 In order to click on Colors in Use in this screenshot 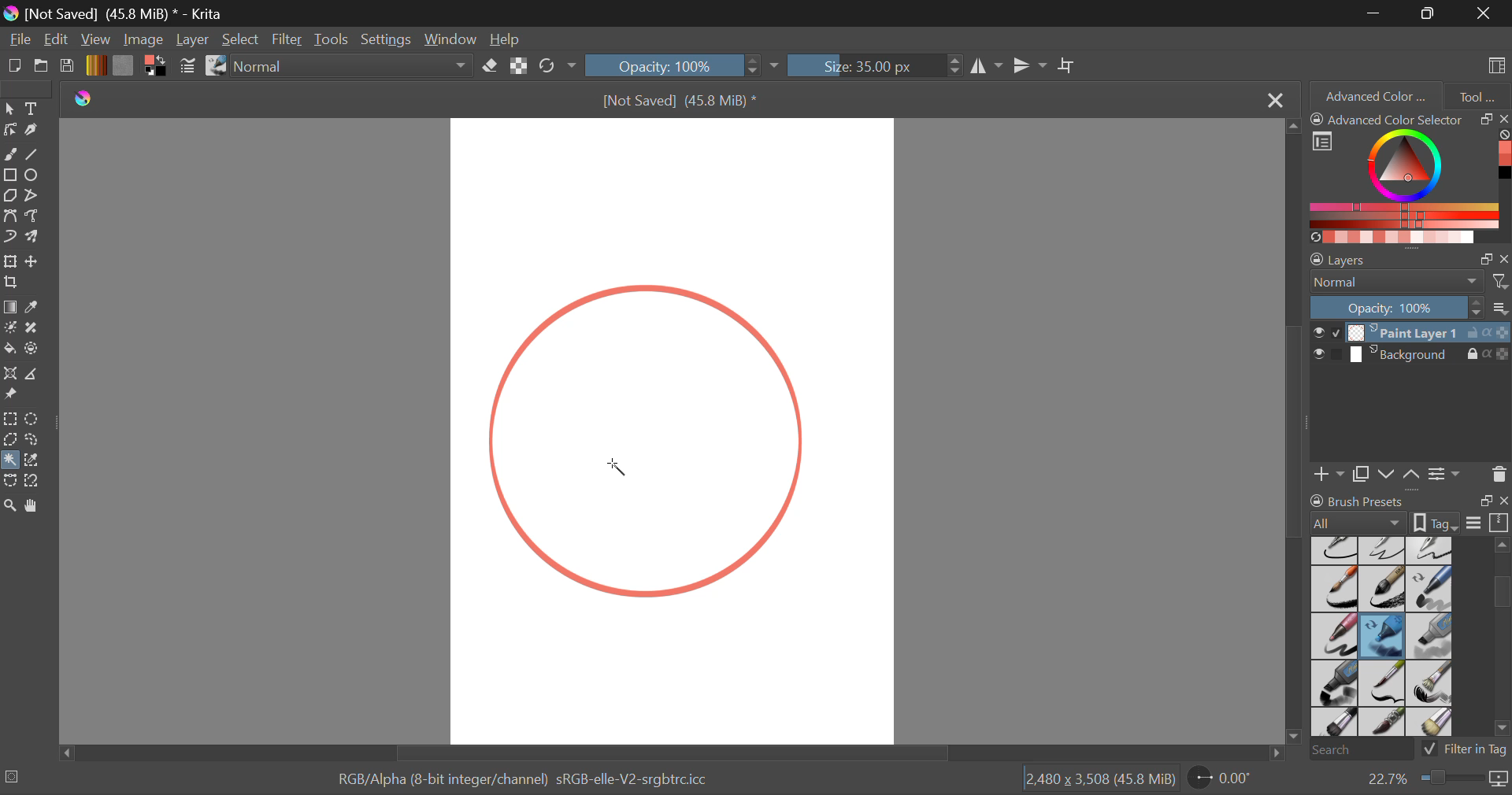, I will do `click(154, 66)`.